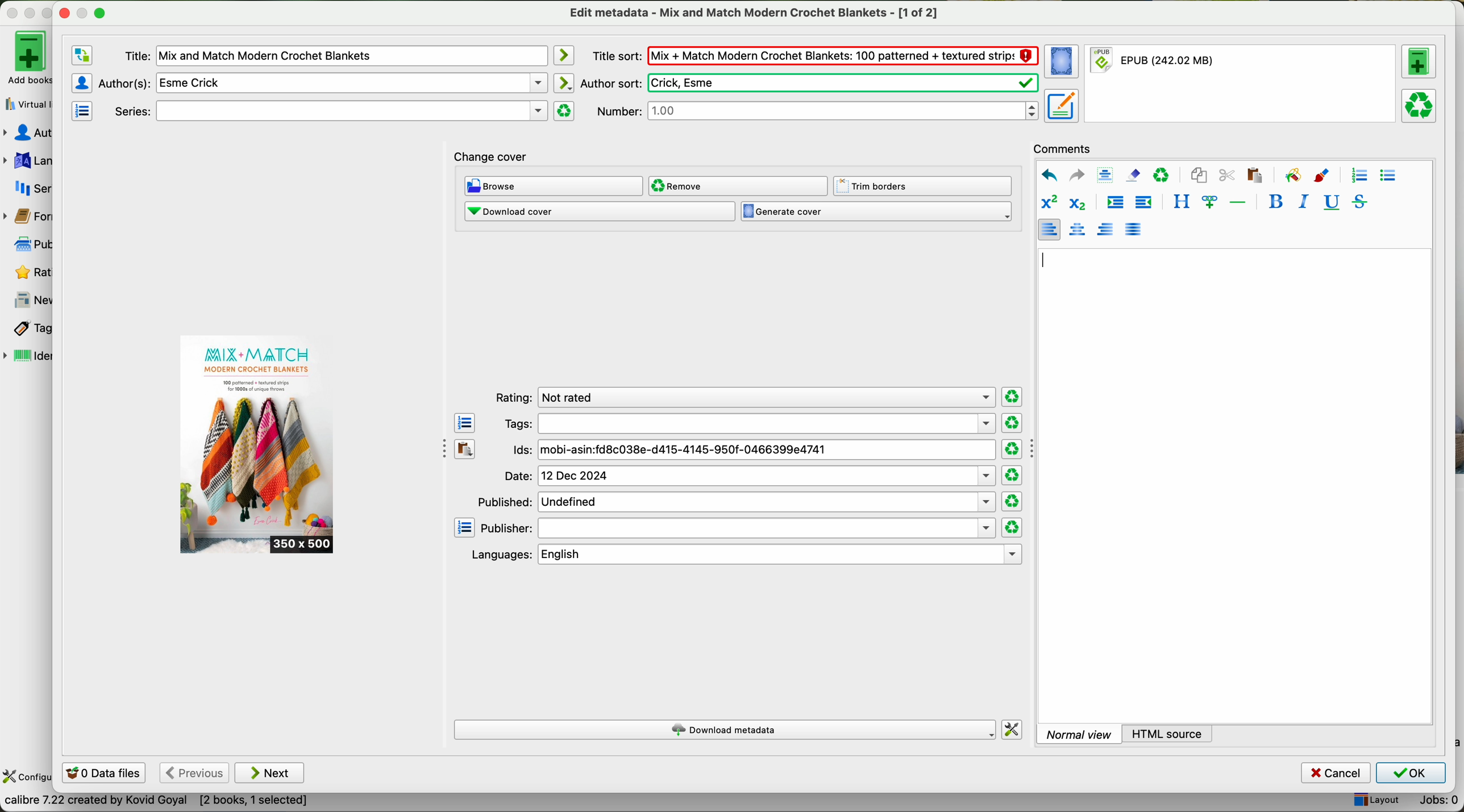  What do you see at coordinates (748, 423) in the screenshot?
I see `tags` at bounding box center [748, 423].